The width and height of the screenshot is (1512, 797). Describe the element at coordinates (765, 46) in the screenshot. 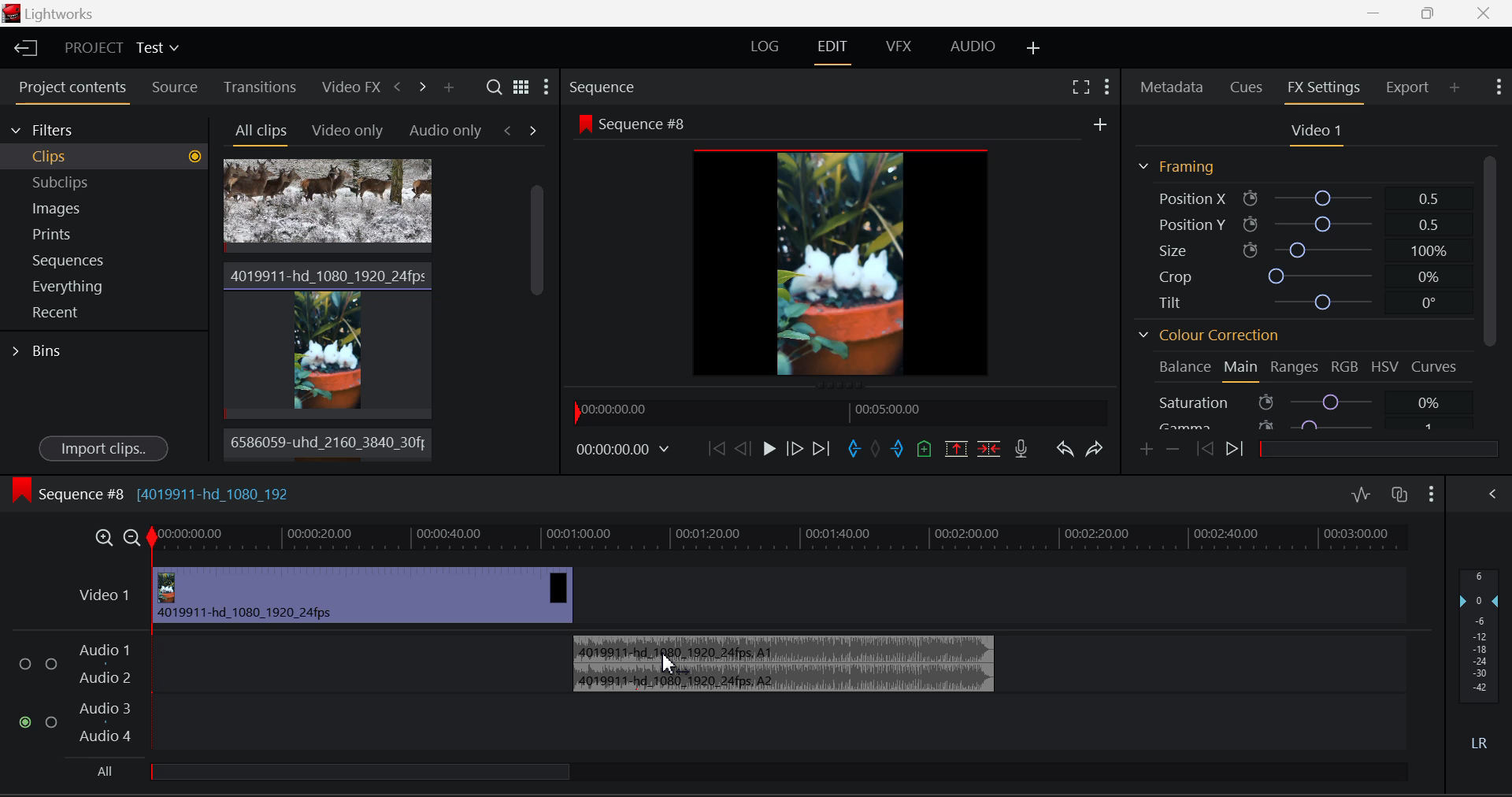

I see `LOG Layout` at that location.